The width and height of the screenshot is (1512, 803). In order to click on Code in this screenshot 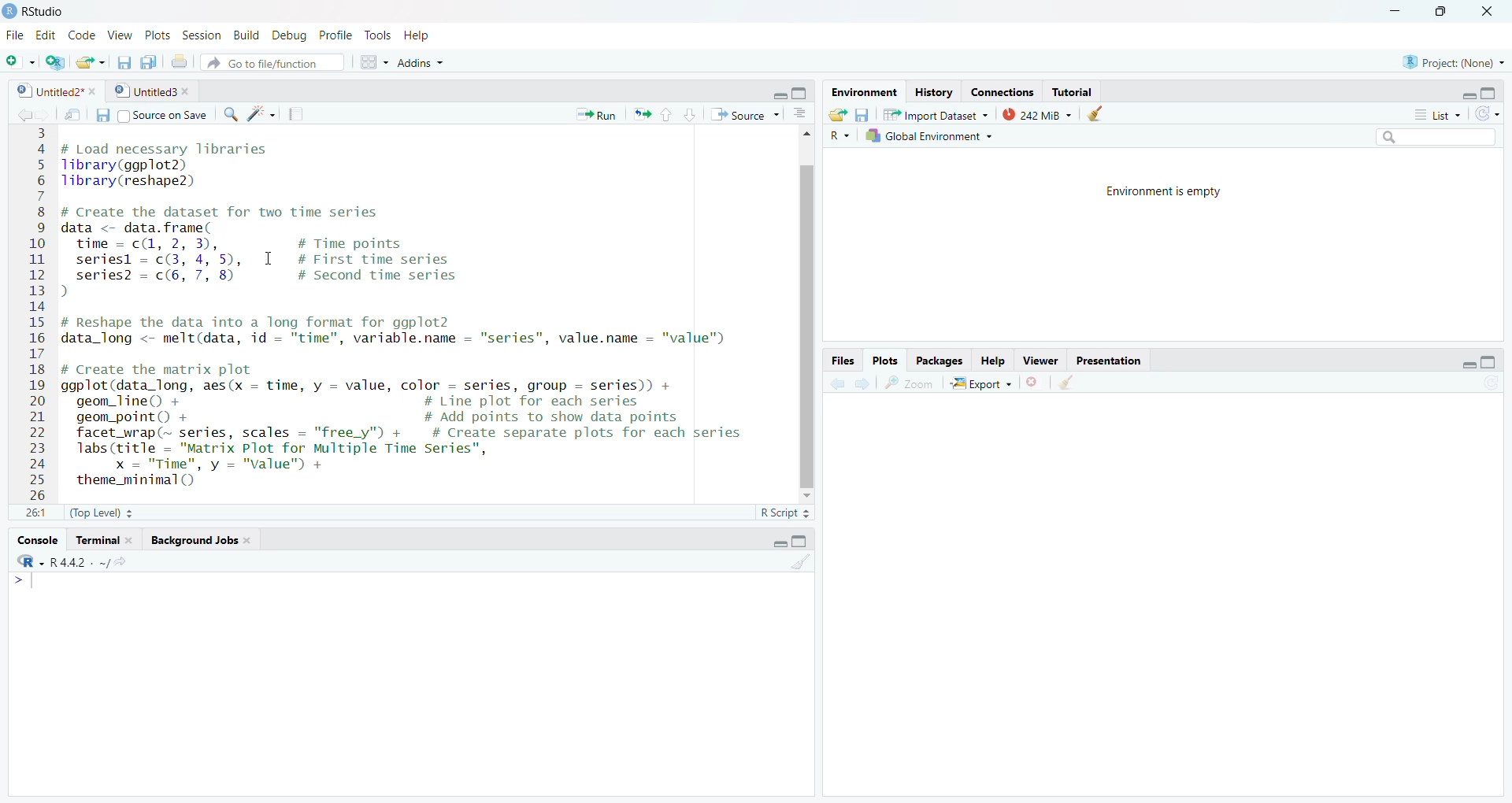, I will do `click(82, 36)`.